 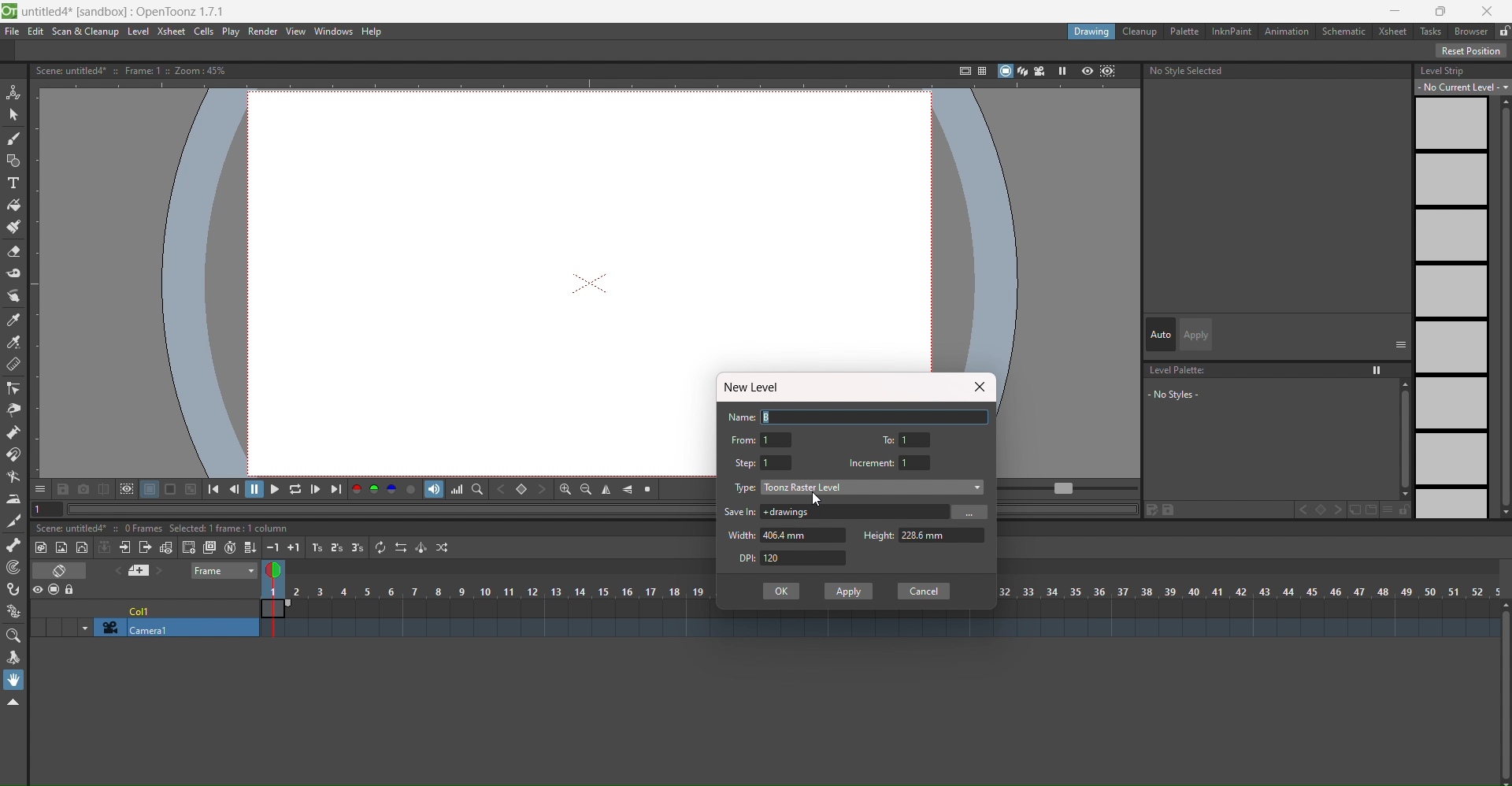 I want to click on step, so click(x=746, y=463).